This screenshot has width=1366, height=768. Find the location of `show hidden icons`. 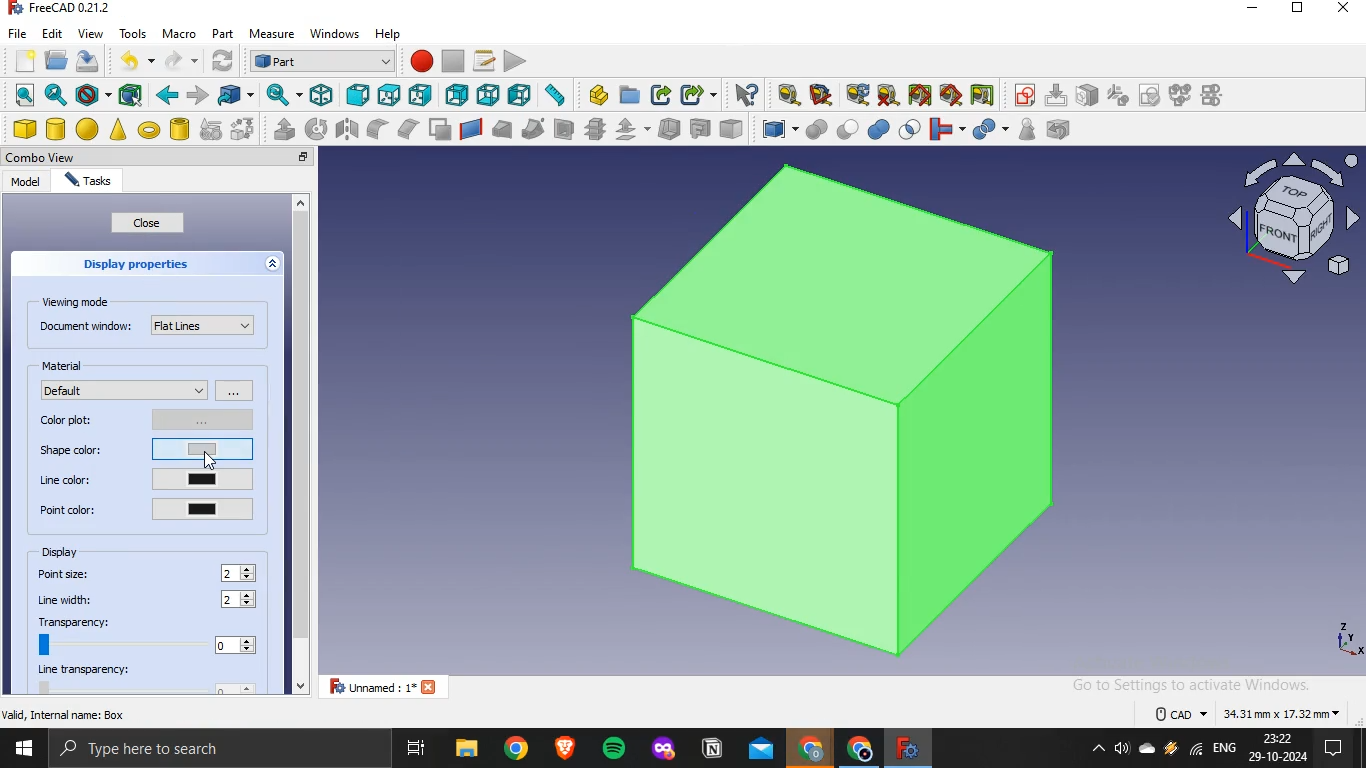

show hidden icons is located at coordinates (1094, 750).